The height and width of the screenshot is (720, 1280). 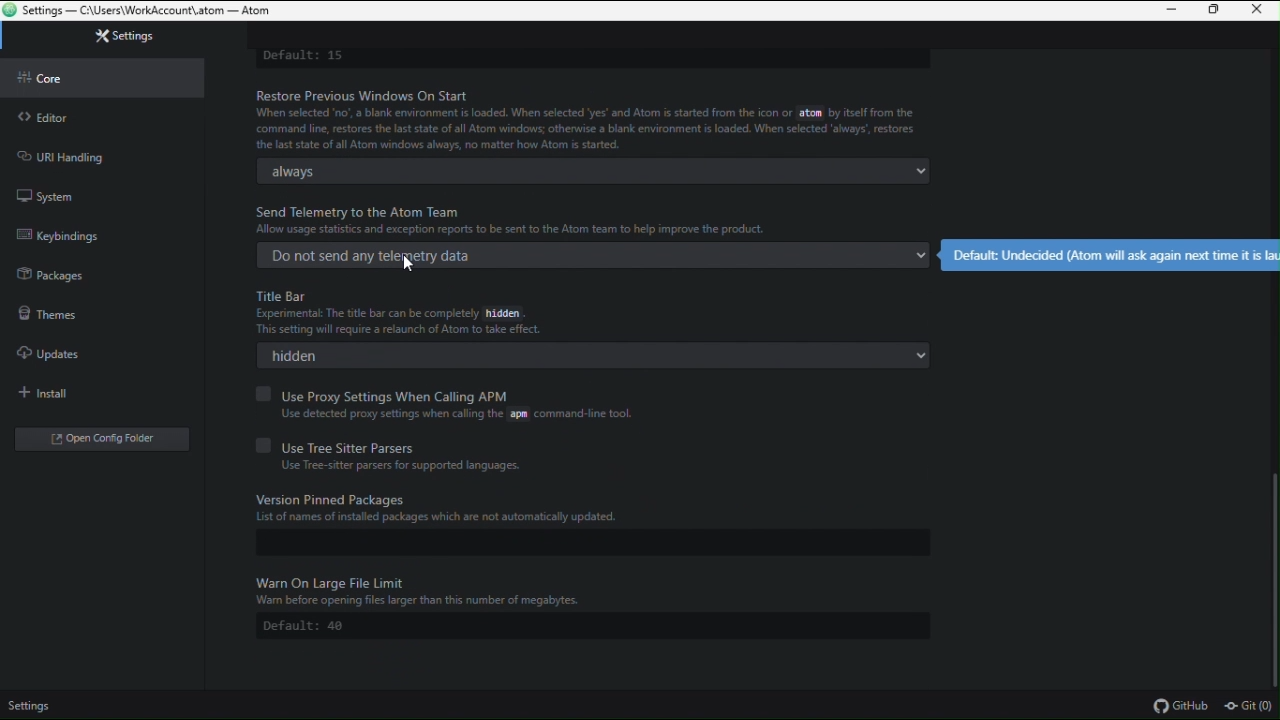 I want to click on Use detected proxy settings when calling the atom command-line tool., so click(x=449, y=414).